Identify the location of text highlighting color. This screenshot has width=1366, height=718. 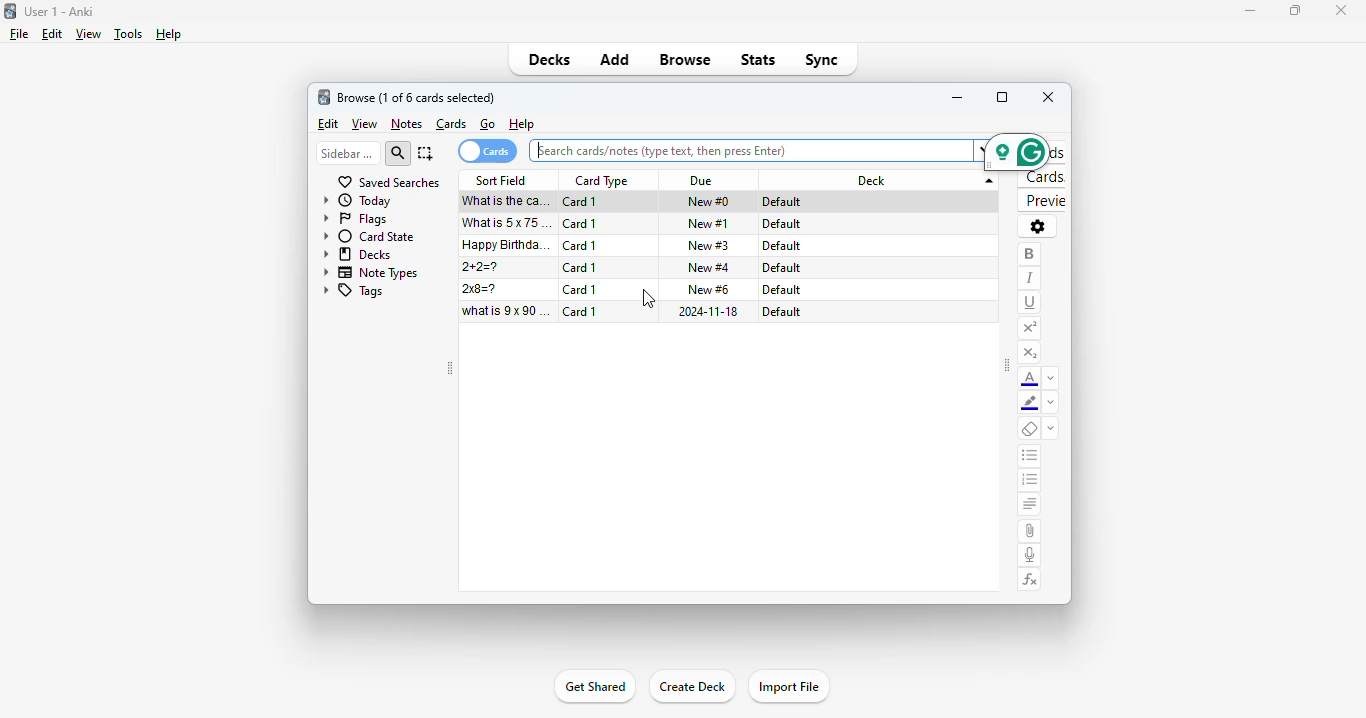
(1030, 404).